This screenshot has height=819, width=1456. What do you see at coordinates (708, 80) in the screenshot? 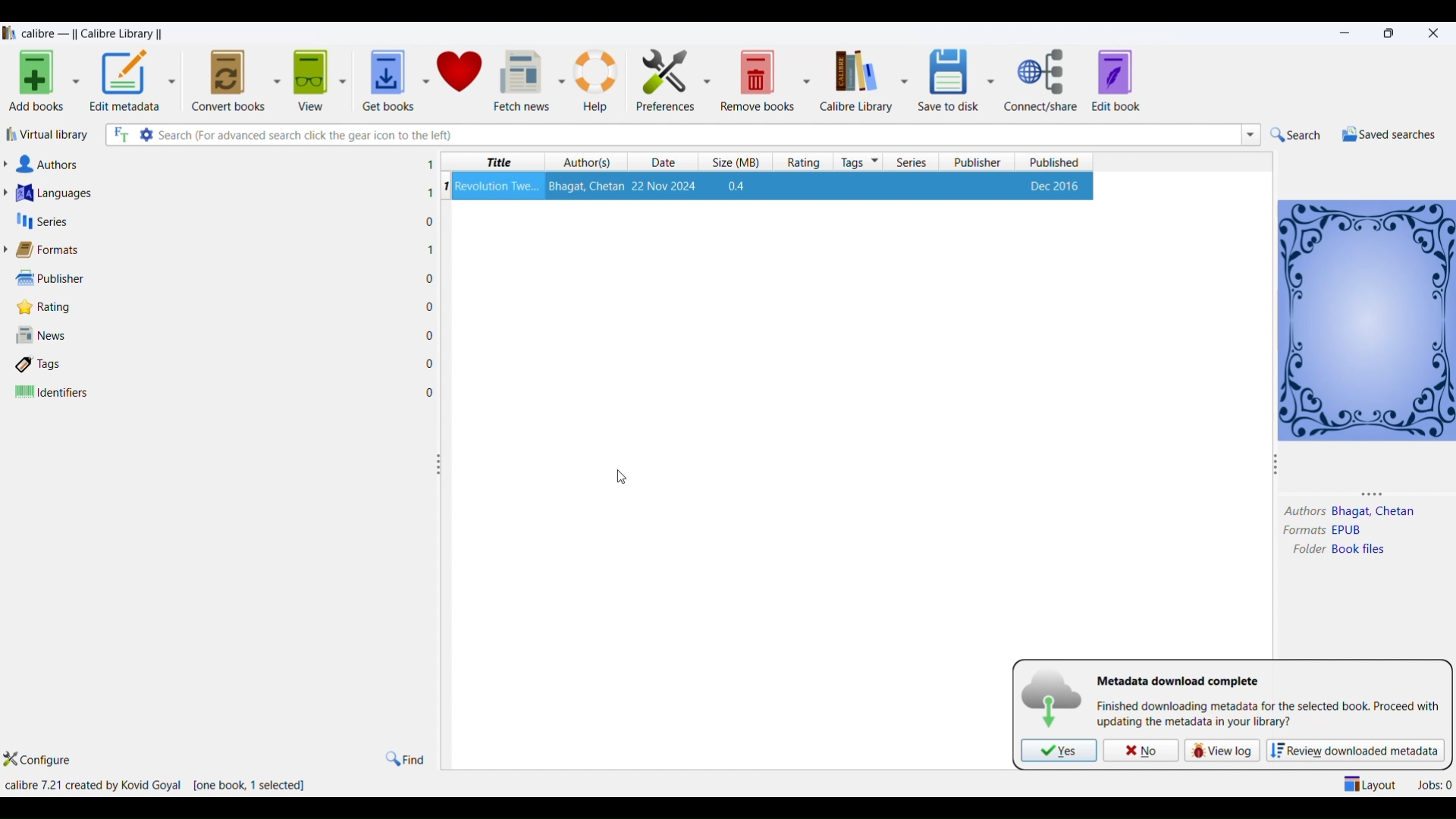
I see `preferences options dropdown button` at bounding box center [708, 80].